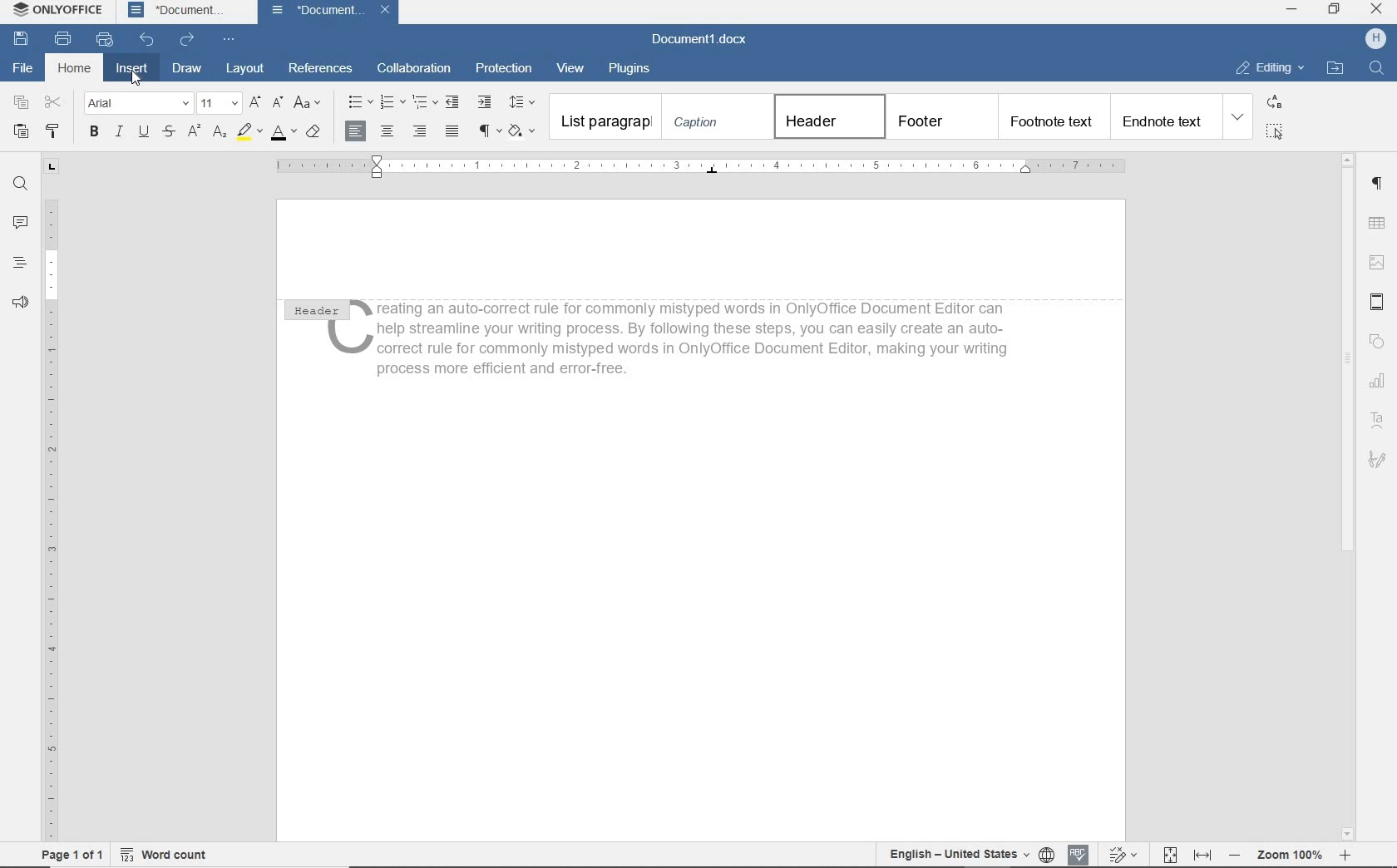  I want to click on INCREMENT FONT SIZE, so click(256, 101).